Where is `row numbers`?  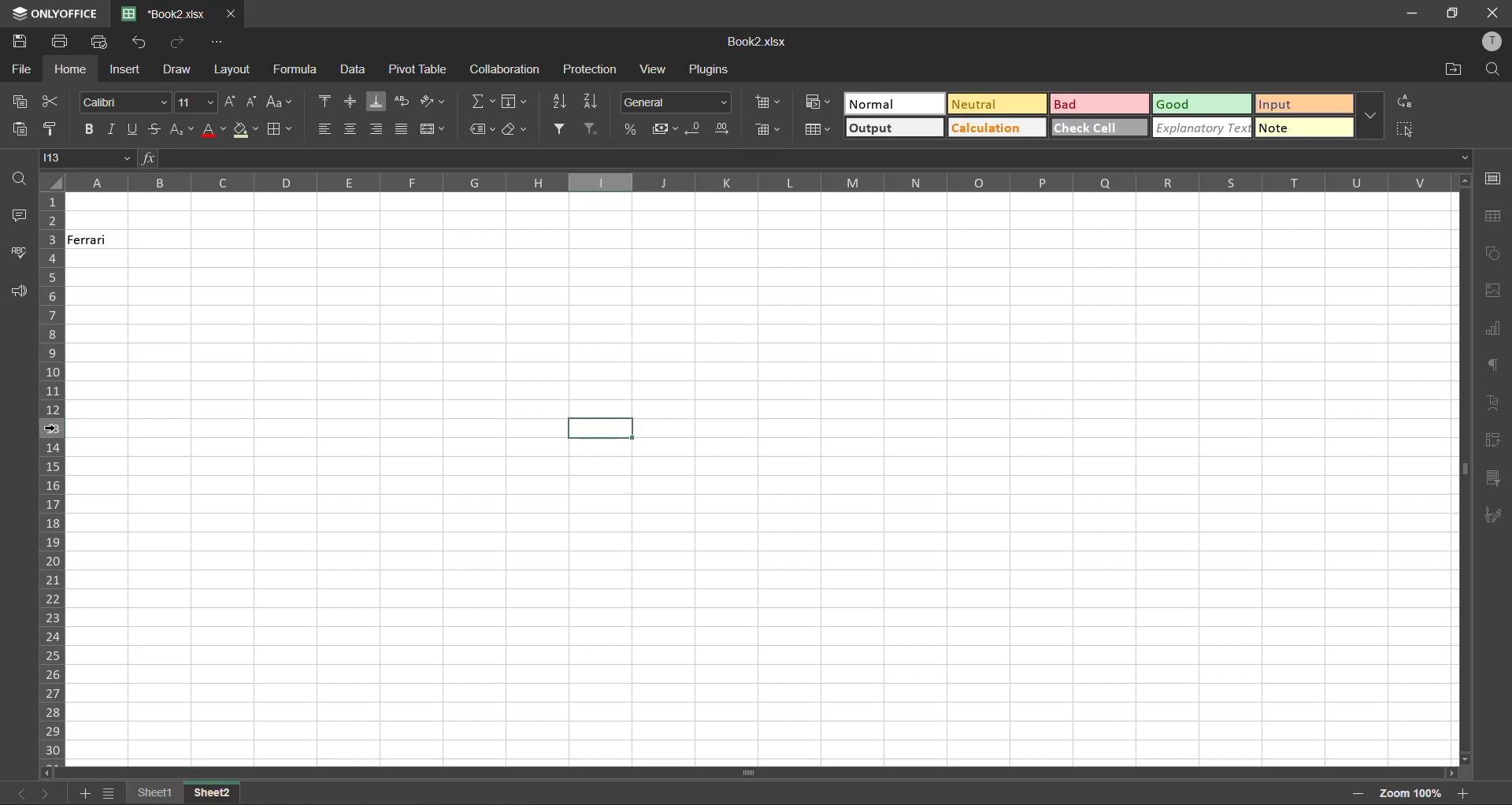
row numbers is located at coordinates (54, 474).